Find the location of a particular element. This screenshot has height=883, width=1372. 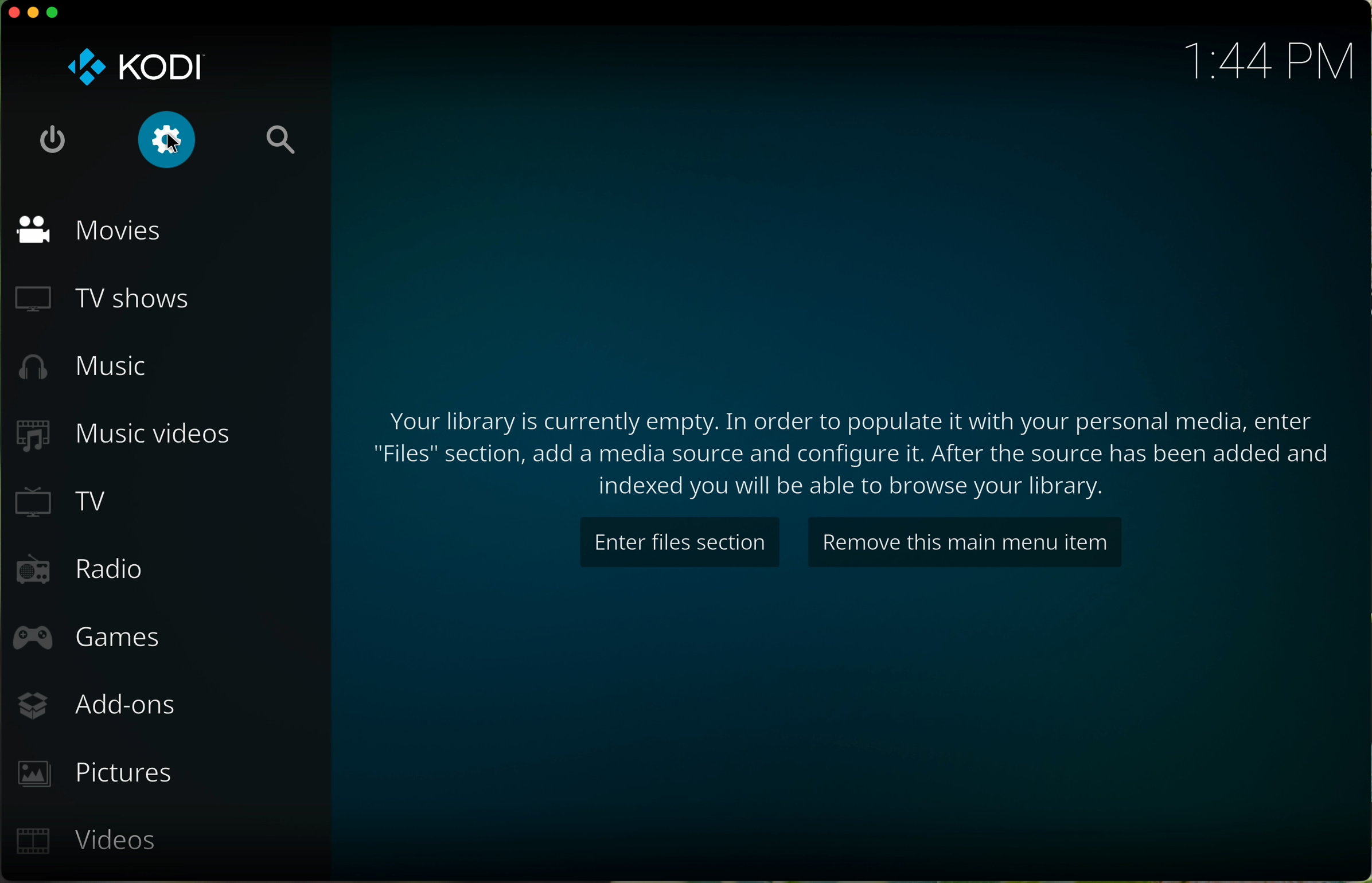

remove this menu item is located at coordinates (965, 542).